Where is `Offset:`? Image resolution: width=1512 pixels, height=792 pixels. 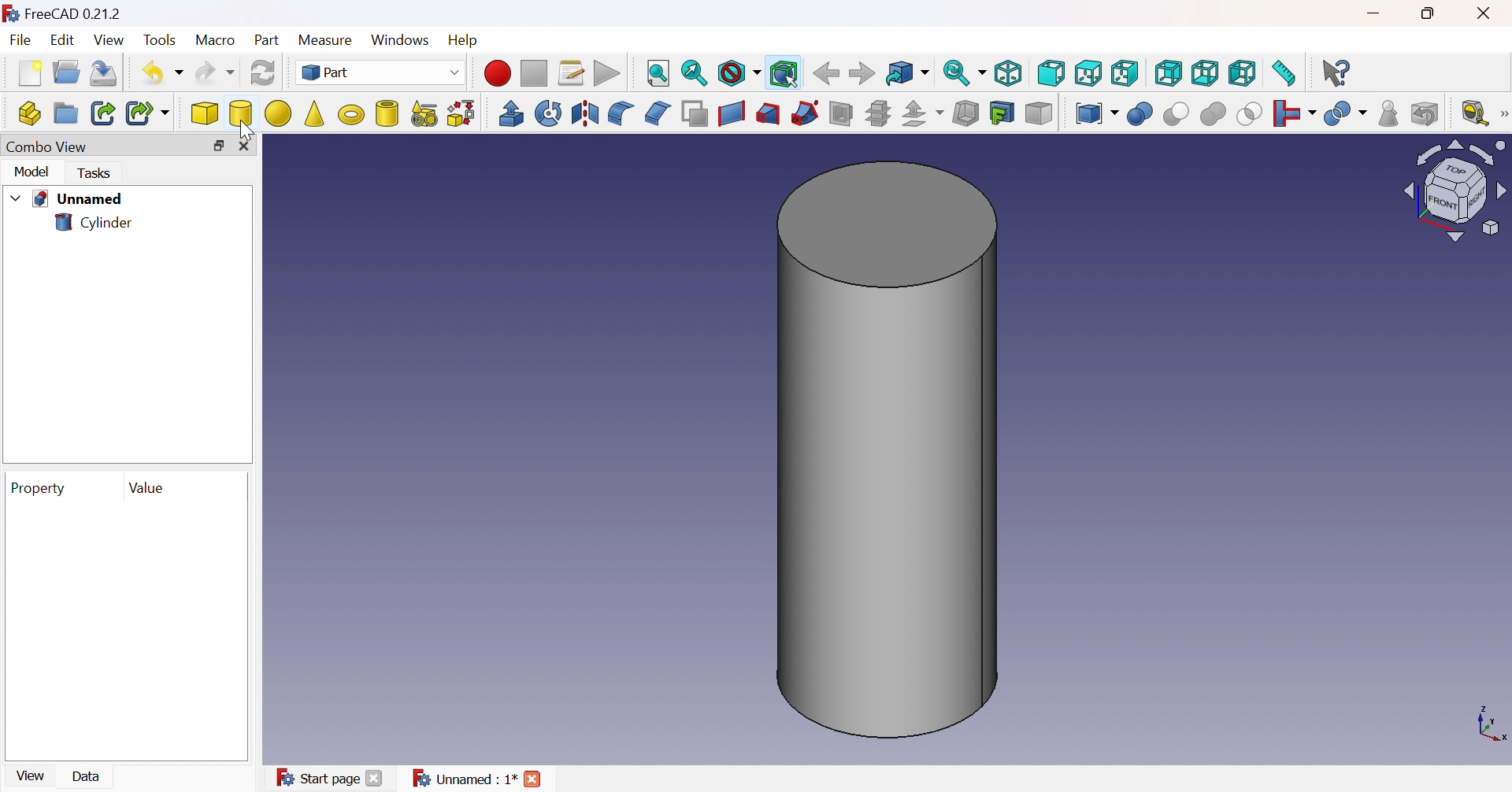
Offset: is located at coordinates (921, 114).